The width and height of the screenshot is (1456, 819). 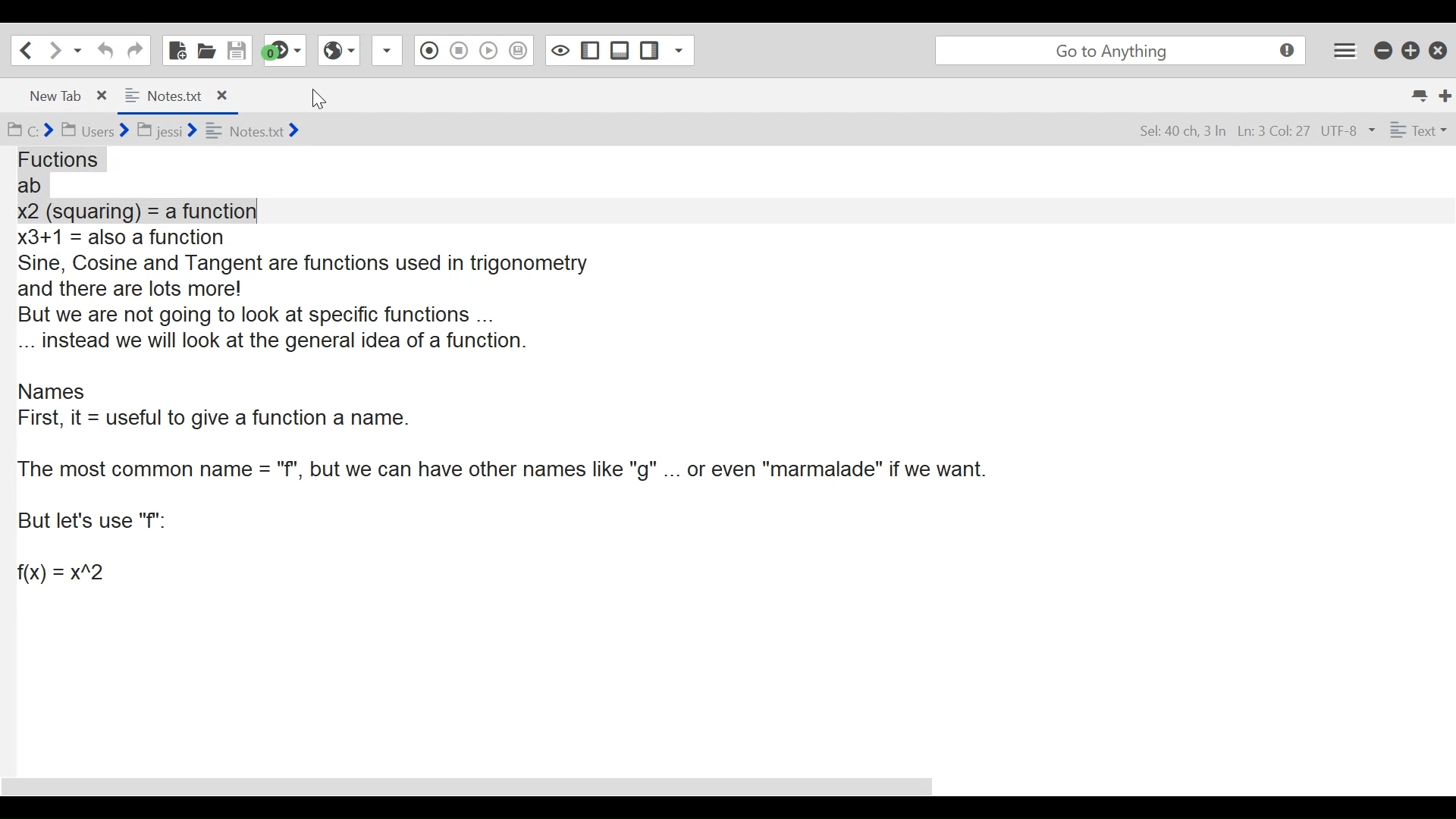 What do you see at coordinates (1343, 47) in the screenshot?
I see `Application menu` at bounding box center [1343, 47].